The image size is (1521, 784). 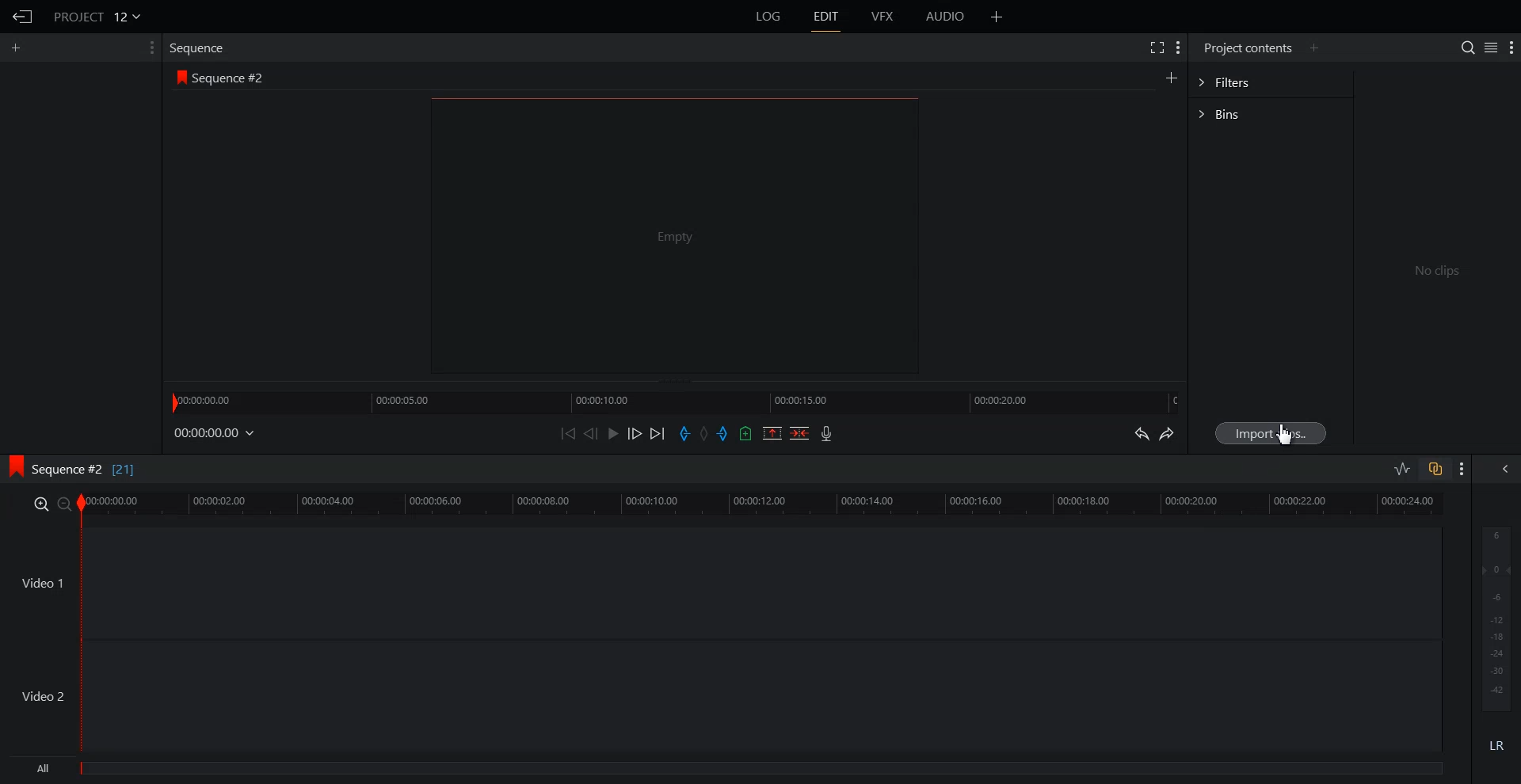 I want to click on LOG, so click(x=769, y=17).